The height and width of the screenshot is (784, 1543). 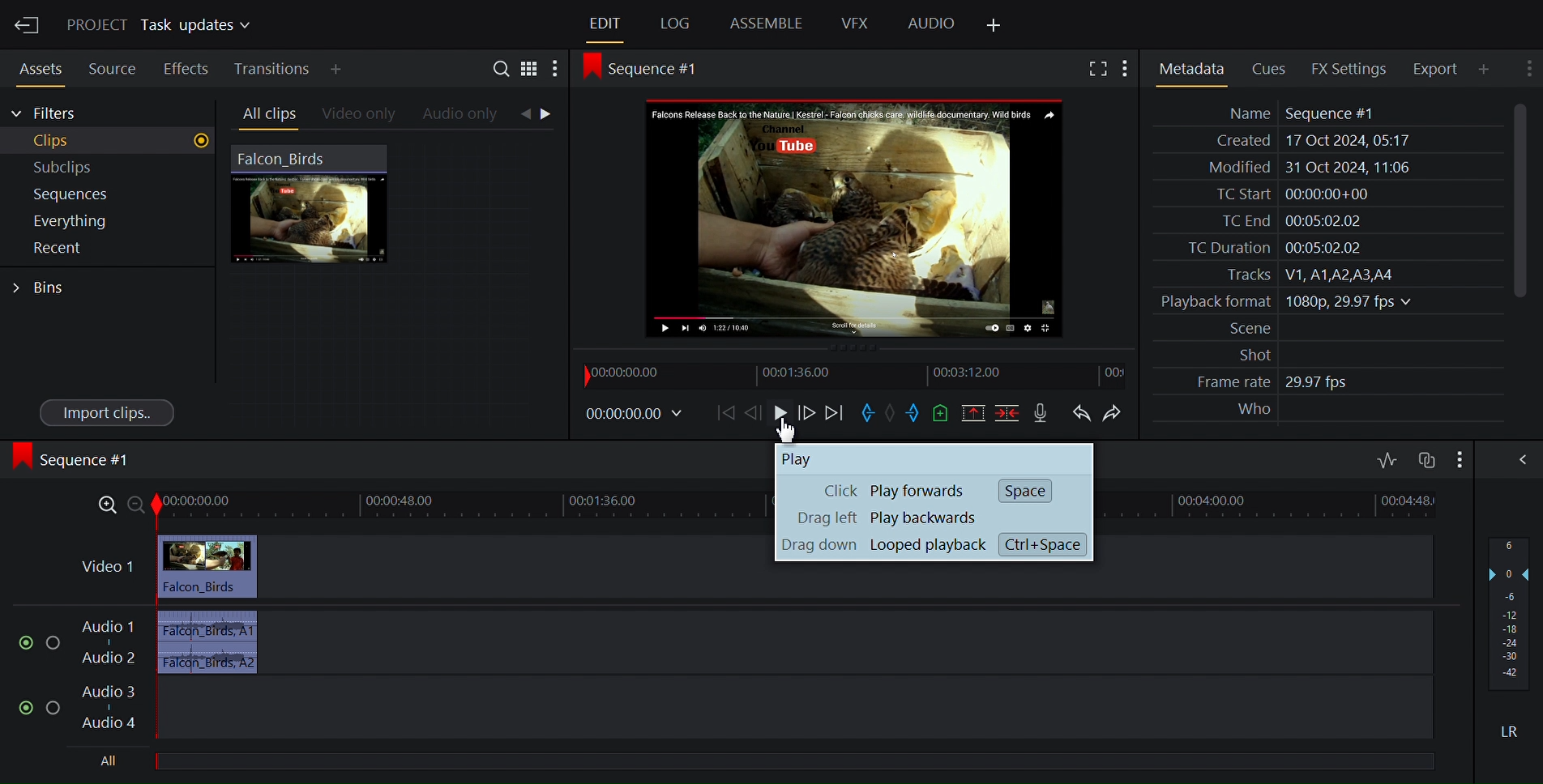 I want to click on Sequence #1, so click(x=649, y=71).